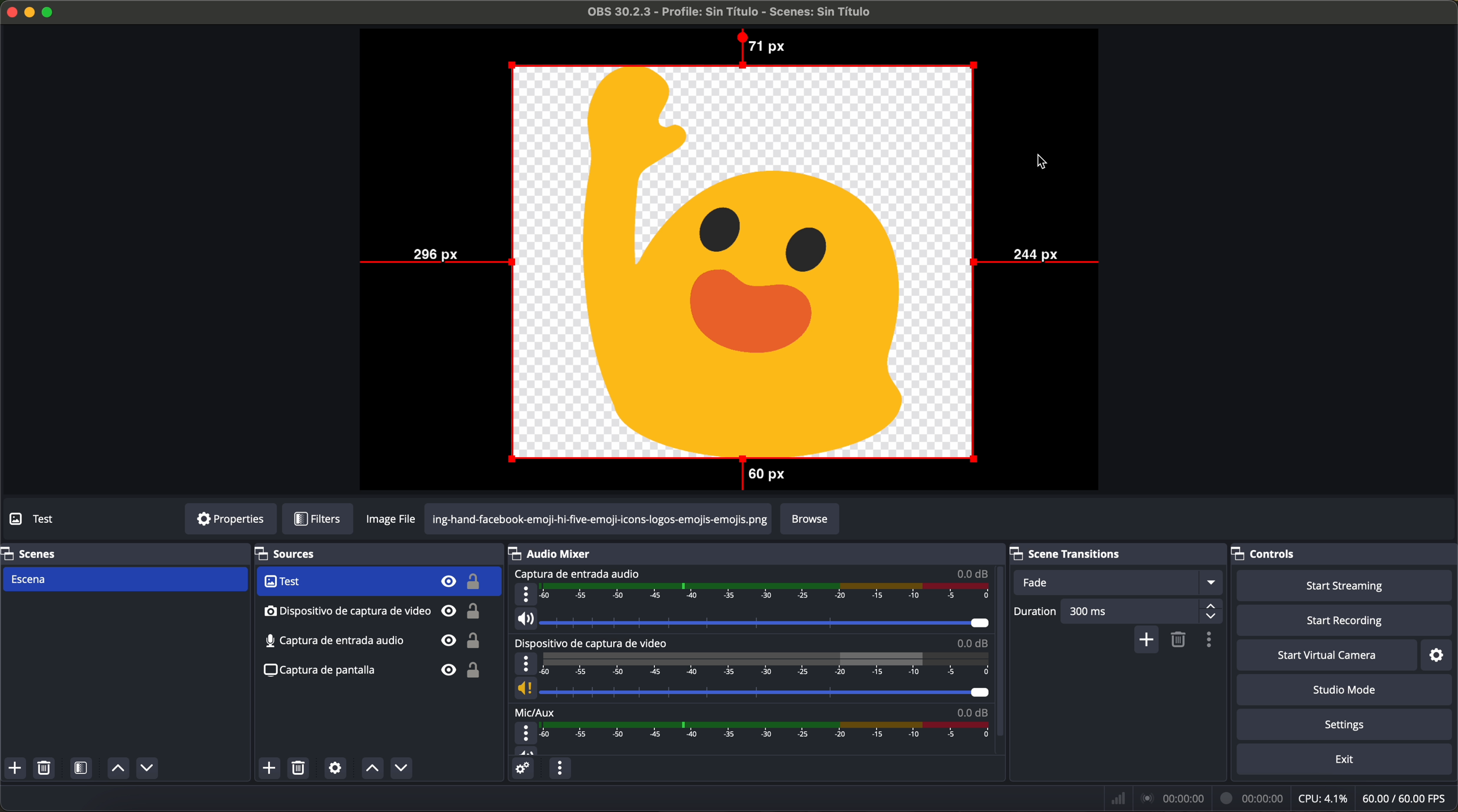 The image size is (1458, 812). I want to click on remove configurable transition, so click(1180, 641).